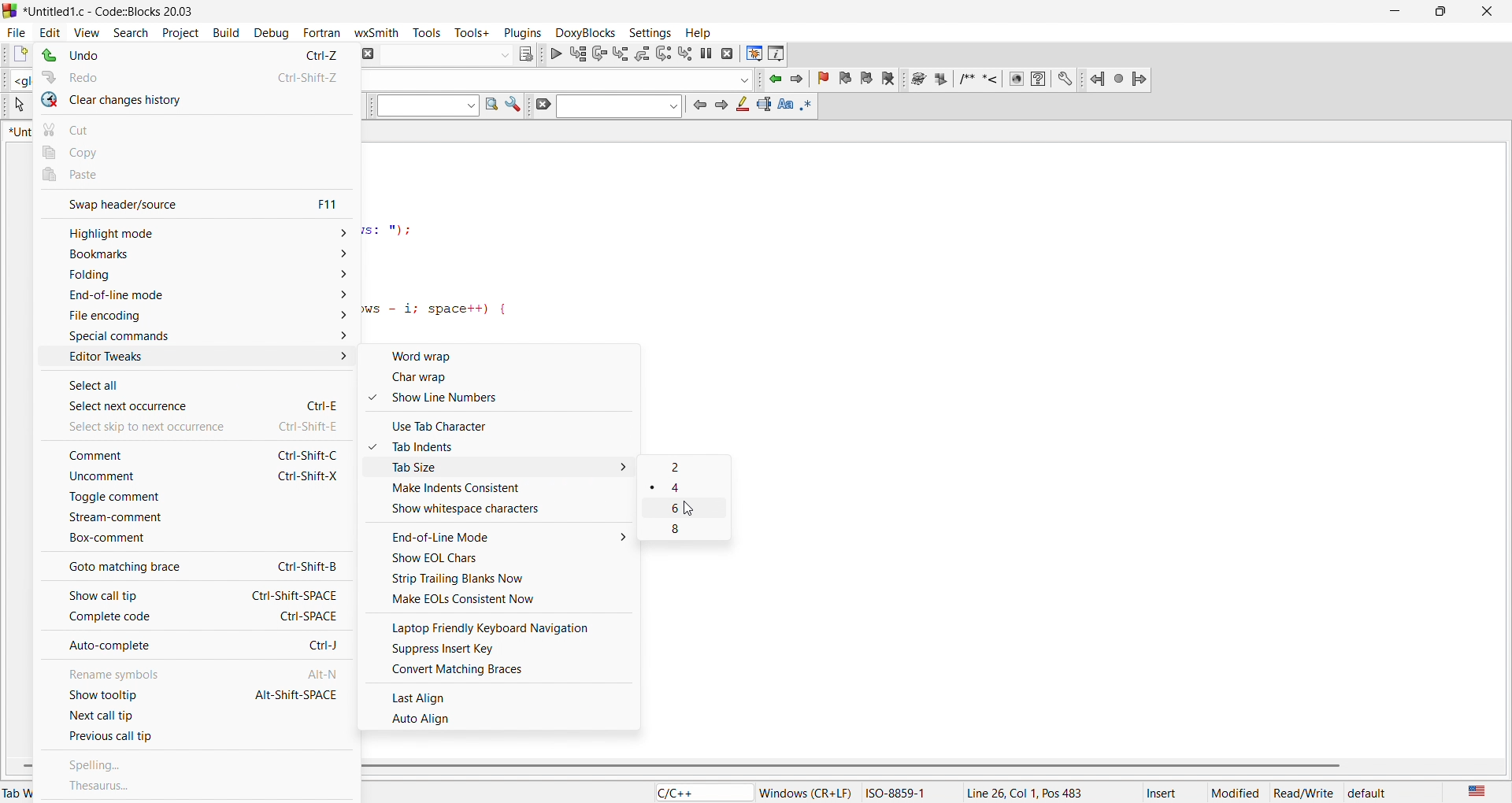  What do you see at coordinates (198, 717) in the screenshot?
I see `next call tip` at bounding box center [198, 717].